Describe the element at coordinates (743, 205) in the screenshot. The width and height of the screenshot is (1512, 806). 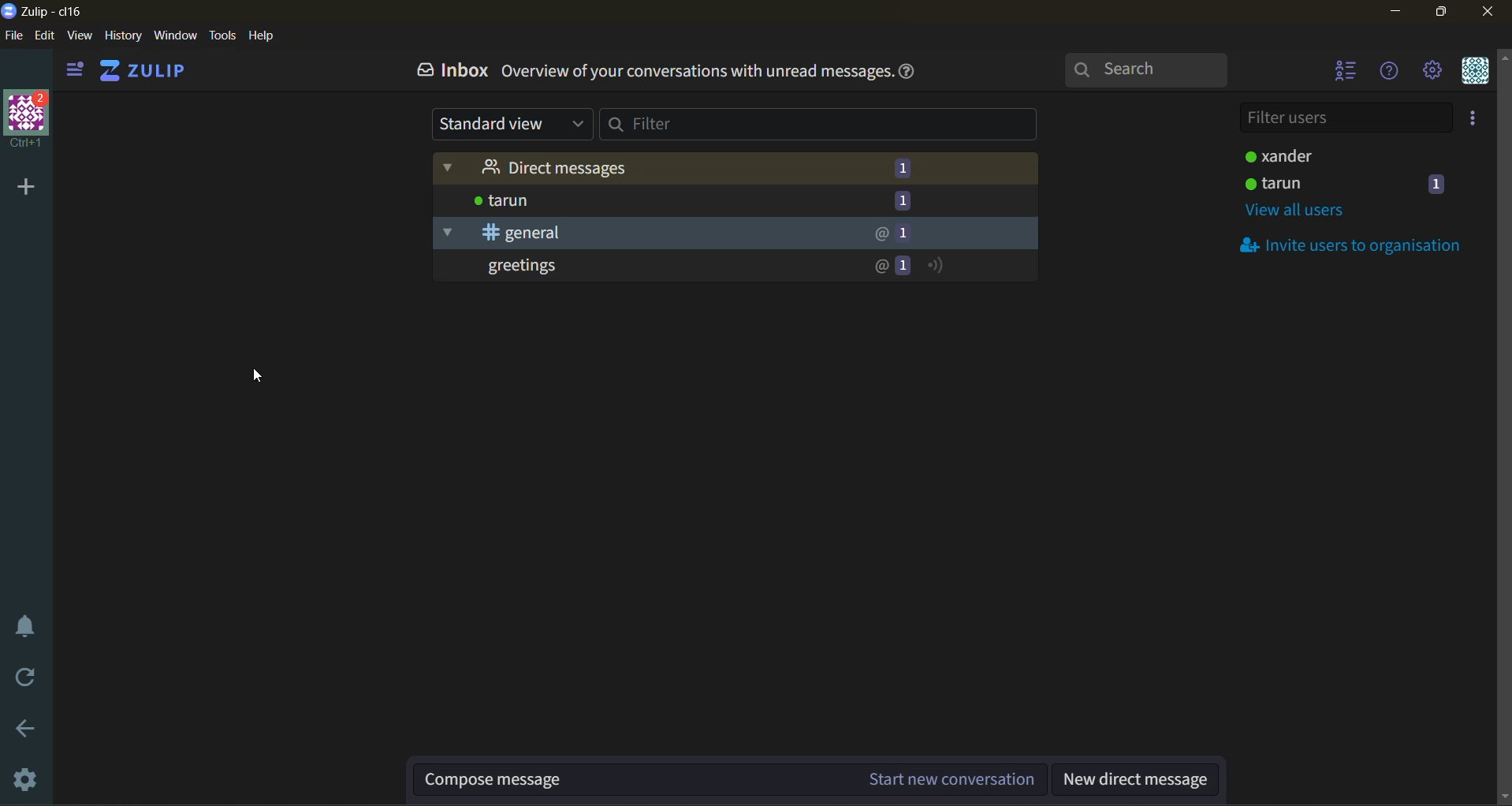
I see `tarun` at that location.